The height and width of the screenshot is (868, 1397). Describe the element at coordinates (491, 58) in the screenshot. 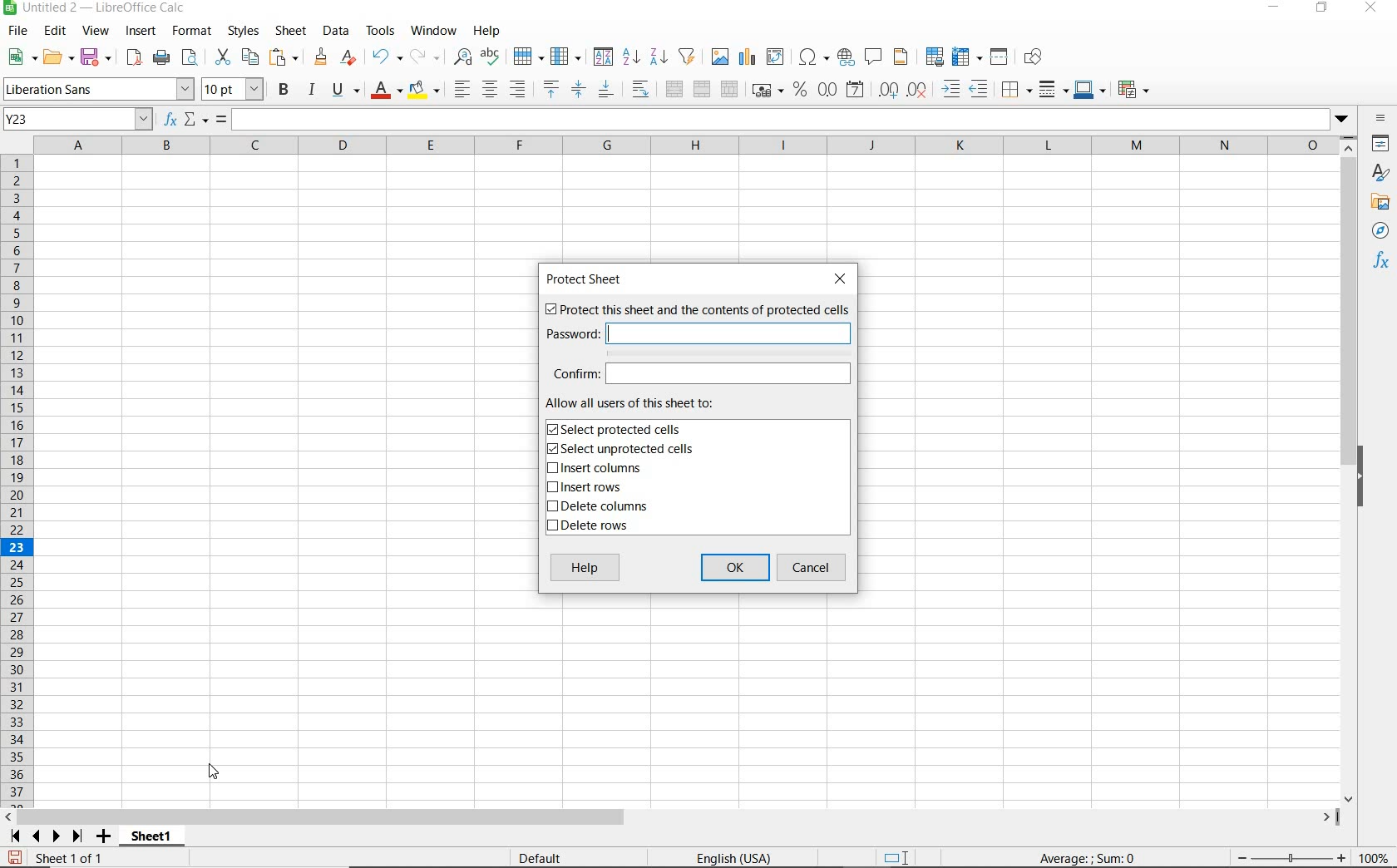

I see `` at that location.